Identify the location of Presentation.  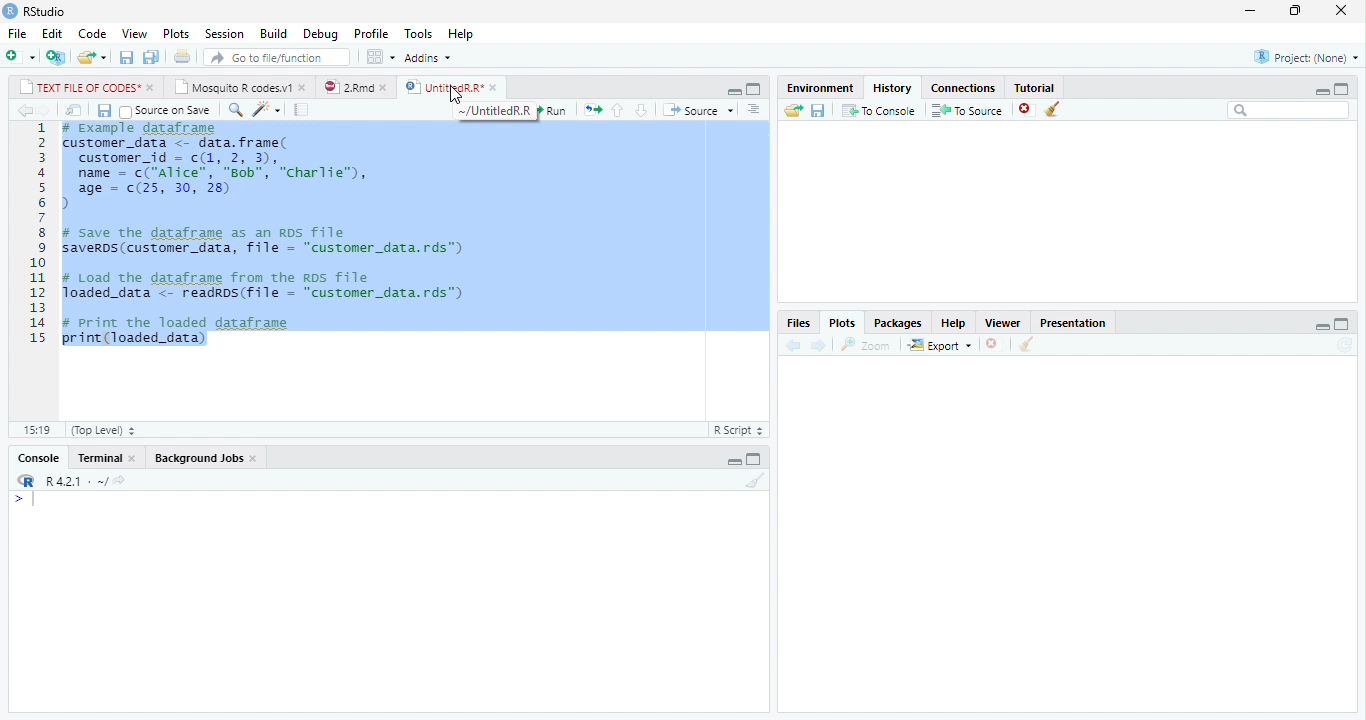
(1072, 322).